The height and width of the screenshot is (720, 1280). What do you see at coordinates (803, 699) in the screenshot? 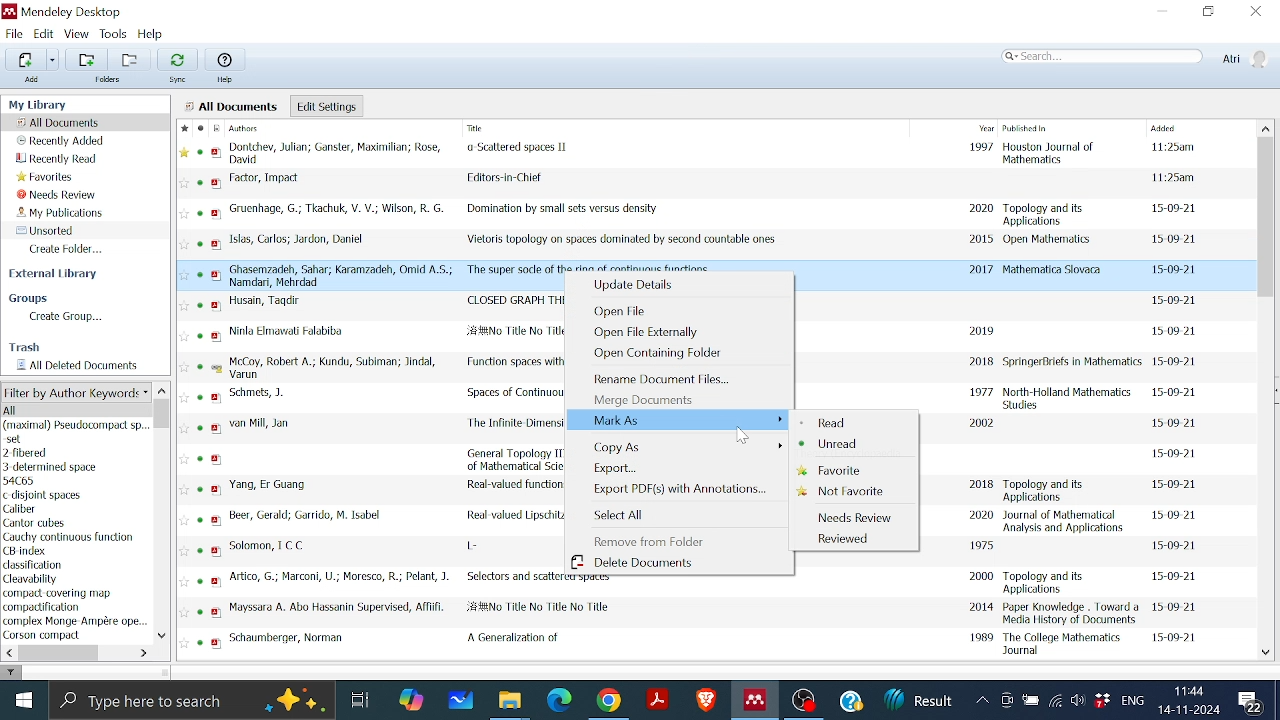
I see `OBS studio` at bounding box center [803, 699].